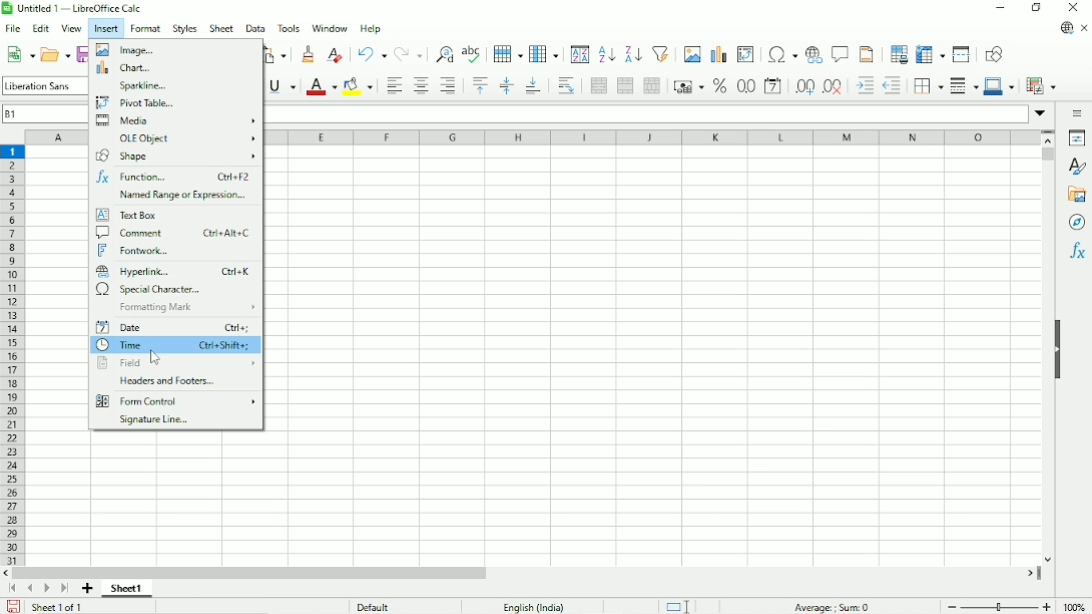  Describe the element at coordinates (1085, 28) in the screenshot. I see `Close document` at that location.